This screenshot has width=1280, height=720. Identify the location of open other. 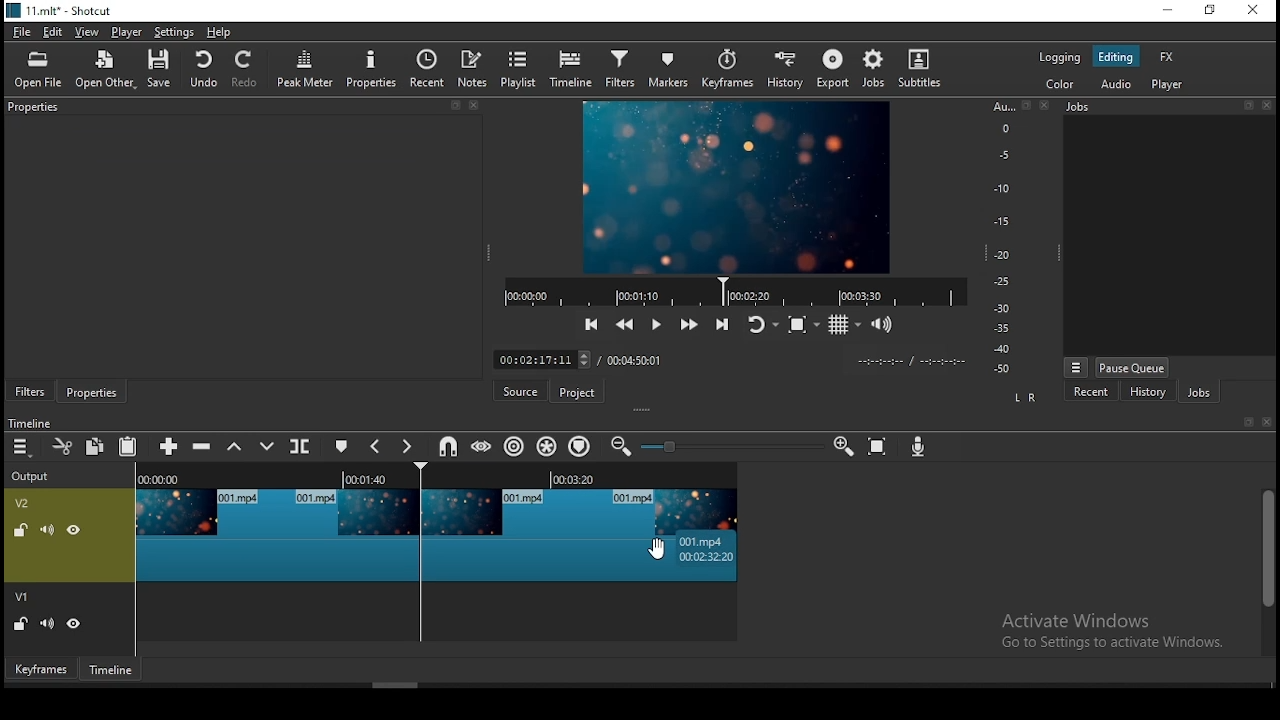
(100, 67).